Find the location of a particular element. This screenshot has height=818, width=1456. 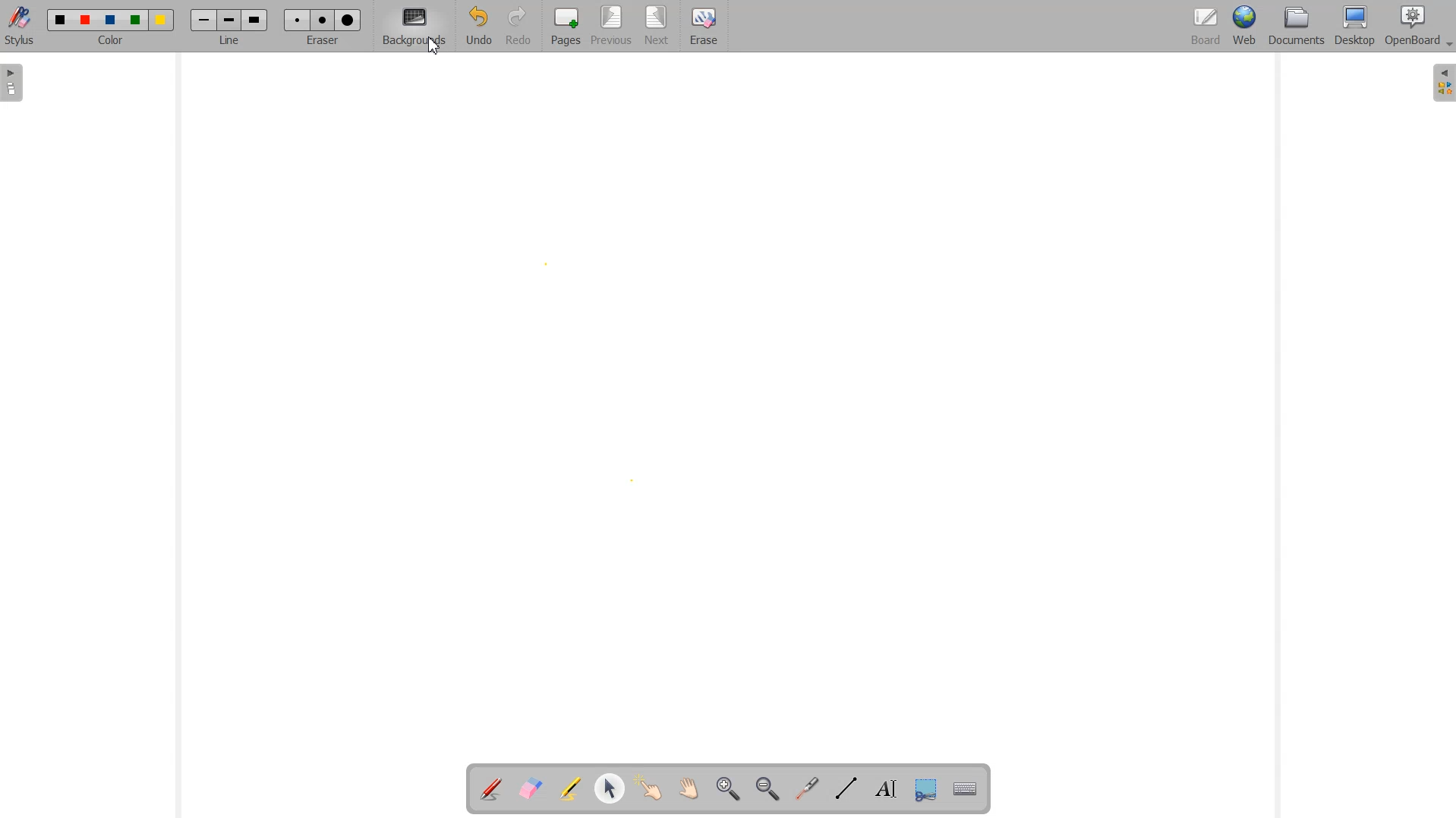

Erase Annotation is located at coordinates (532, 790).